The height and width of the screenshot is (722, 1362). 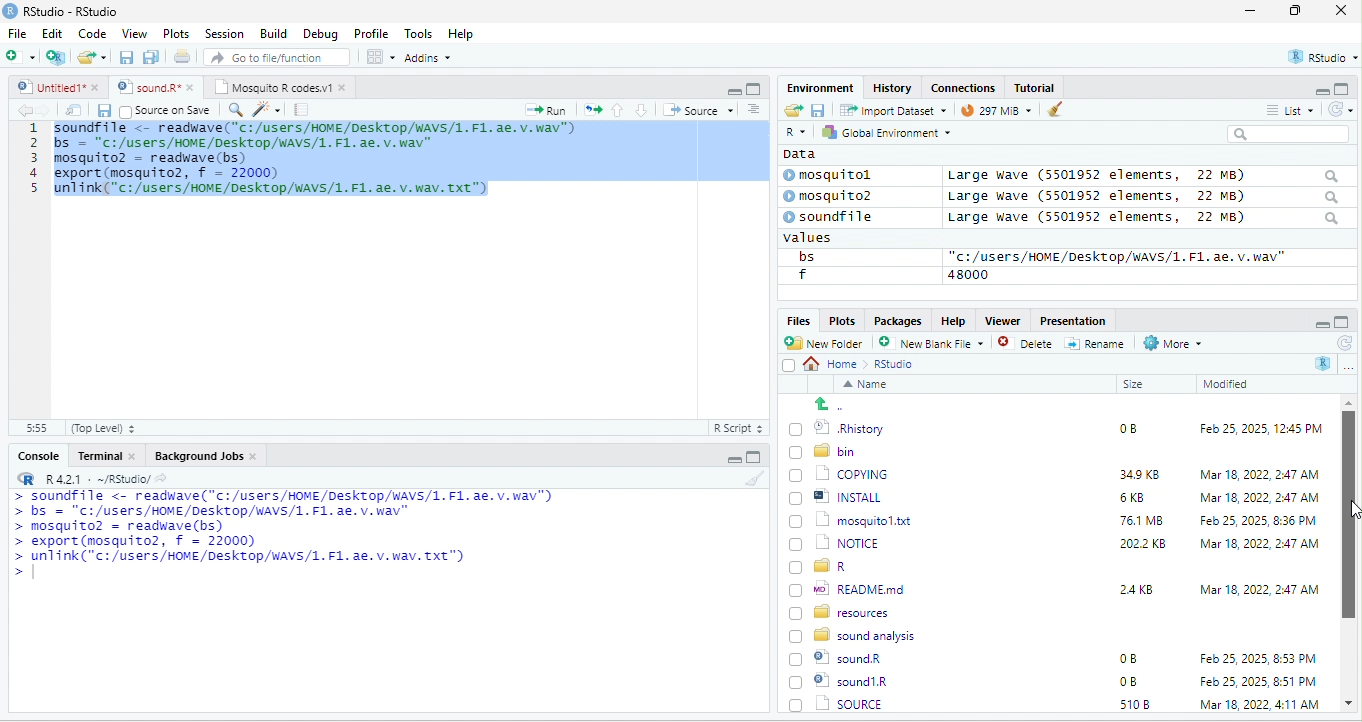 I want to click on f, so click(x=802, y=275).